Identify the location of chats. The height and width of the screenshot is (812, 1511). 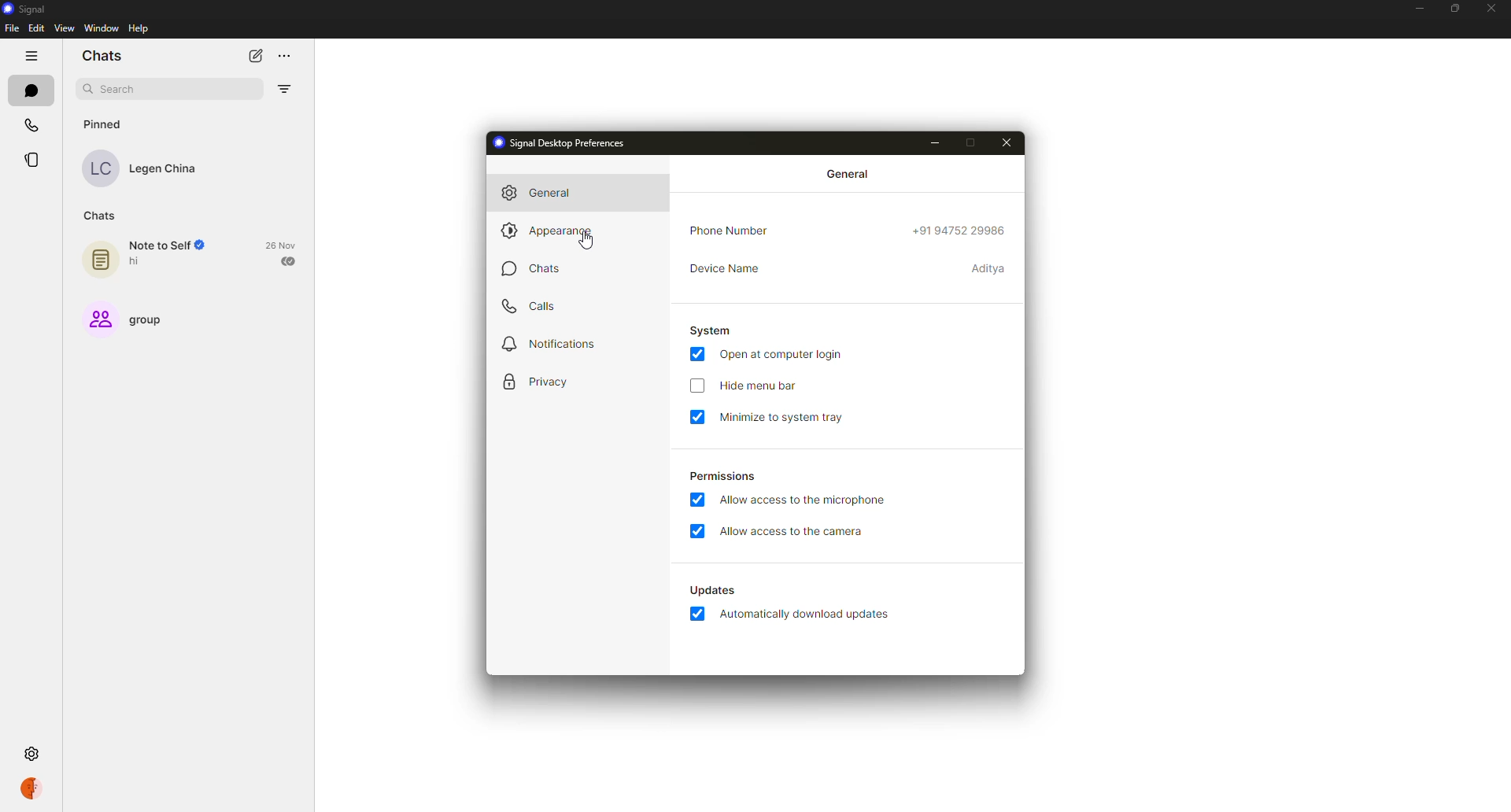
(100, 216).